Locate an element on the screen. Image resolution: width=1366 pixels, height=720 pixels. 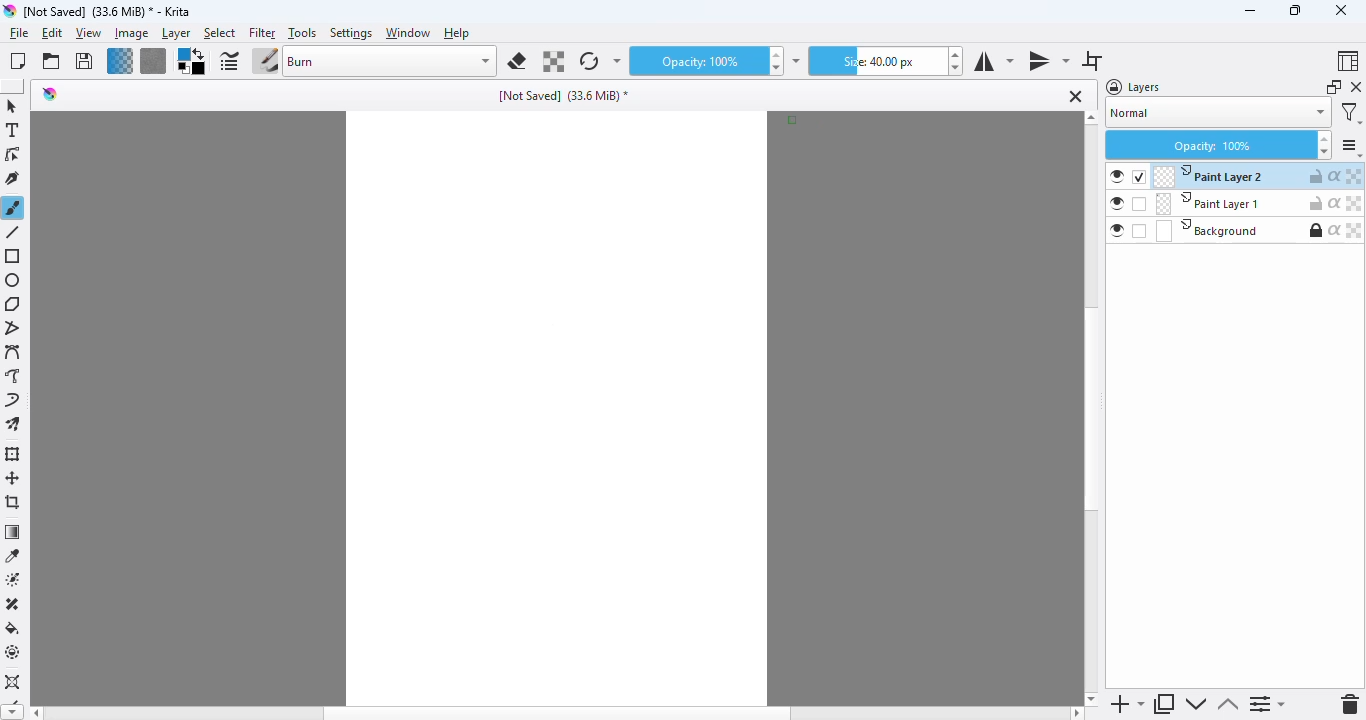
edit brush settings is located at coordinates (229, 62).